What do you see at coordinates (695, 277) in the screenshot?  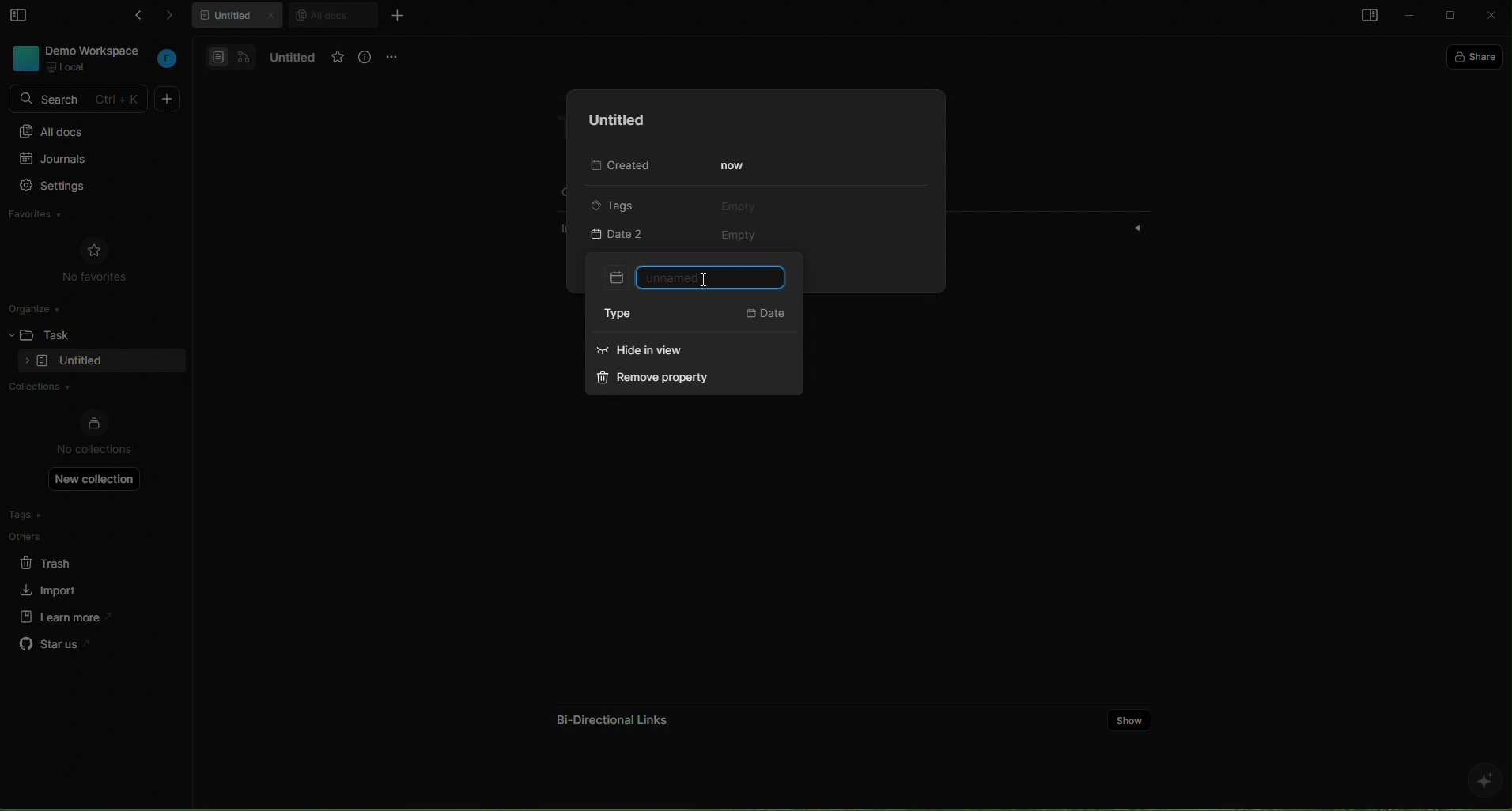 I see `date 2` at bounding box center [695, 277].